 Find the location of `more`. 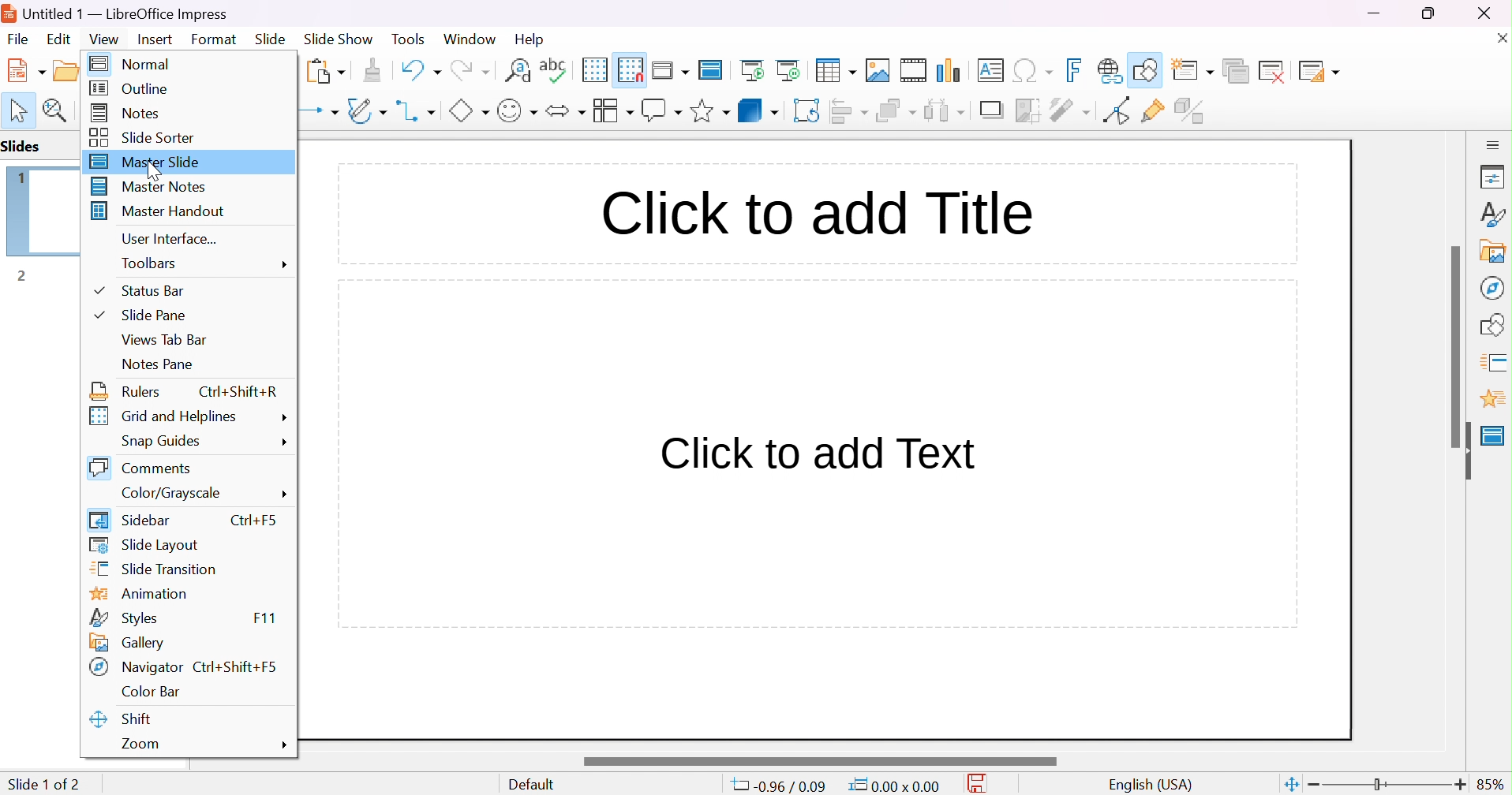

more is located at coordinates (282, 745).